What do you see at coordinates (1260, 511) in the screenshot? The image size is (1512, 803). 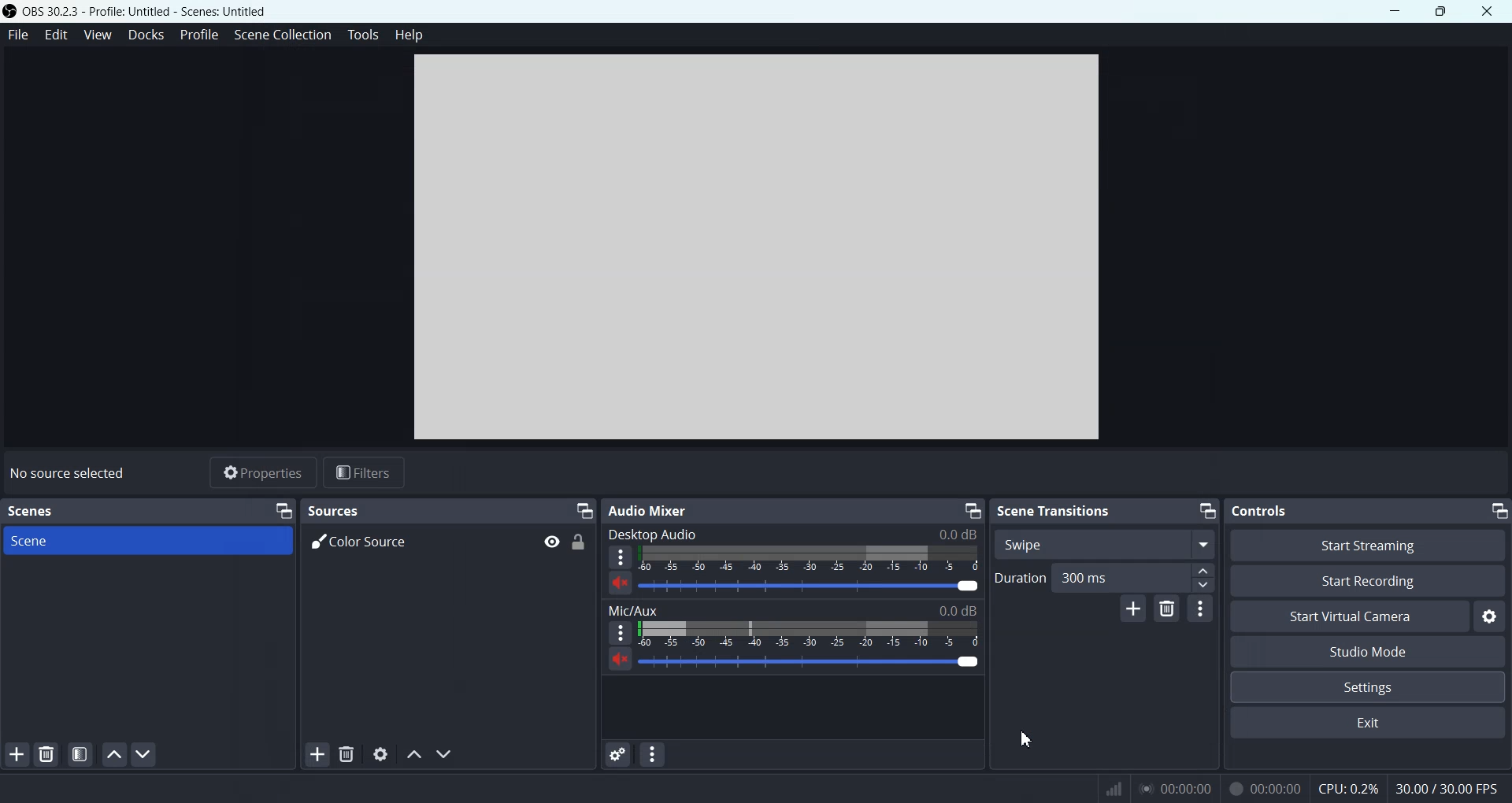 I see `Text` at bounding box center [1260, 511].